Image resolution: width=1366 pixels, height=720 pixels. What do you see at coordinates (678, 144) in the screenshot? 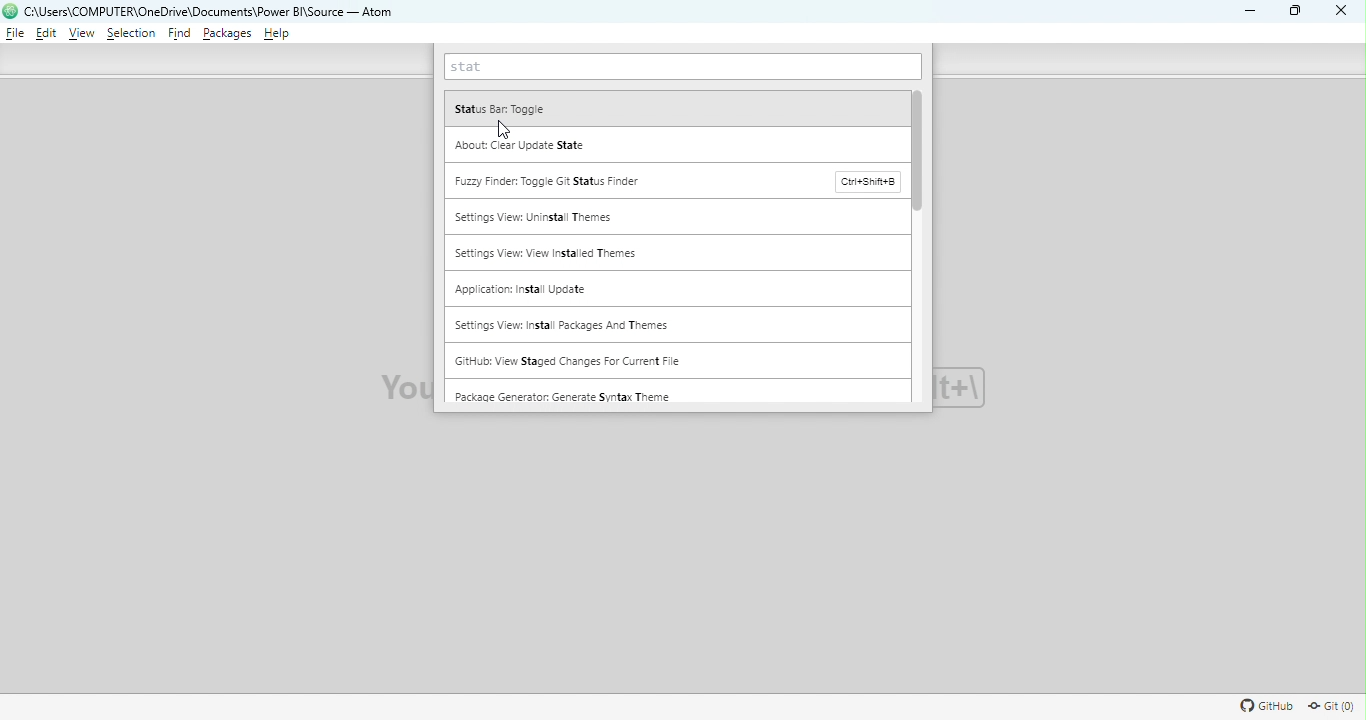
I see `About: Clear Update state` at bounding box center [678, 144].